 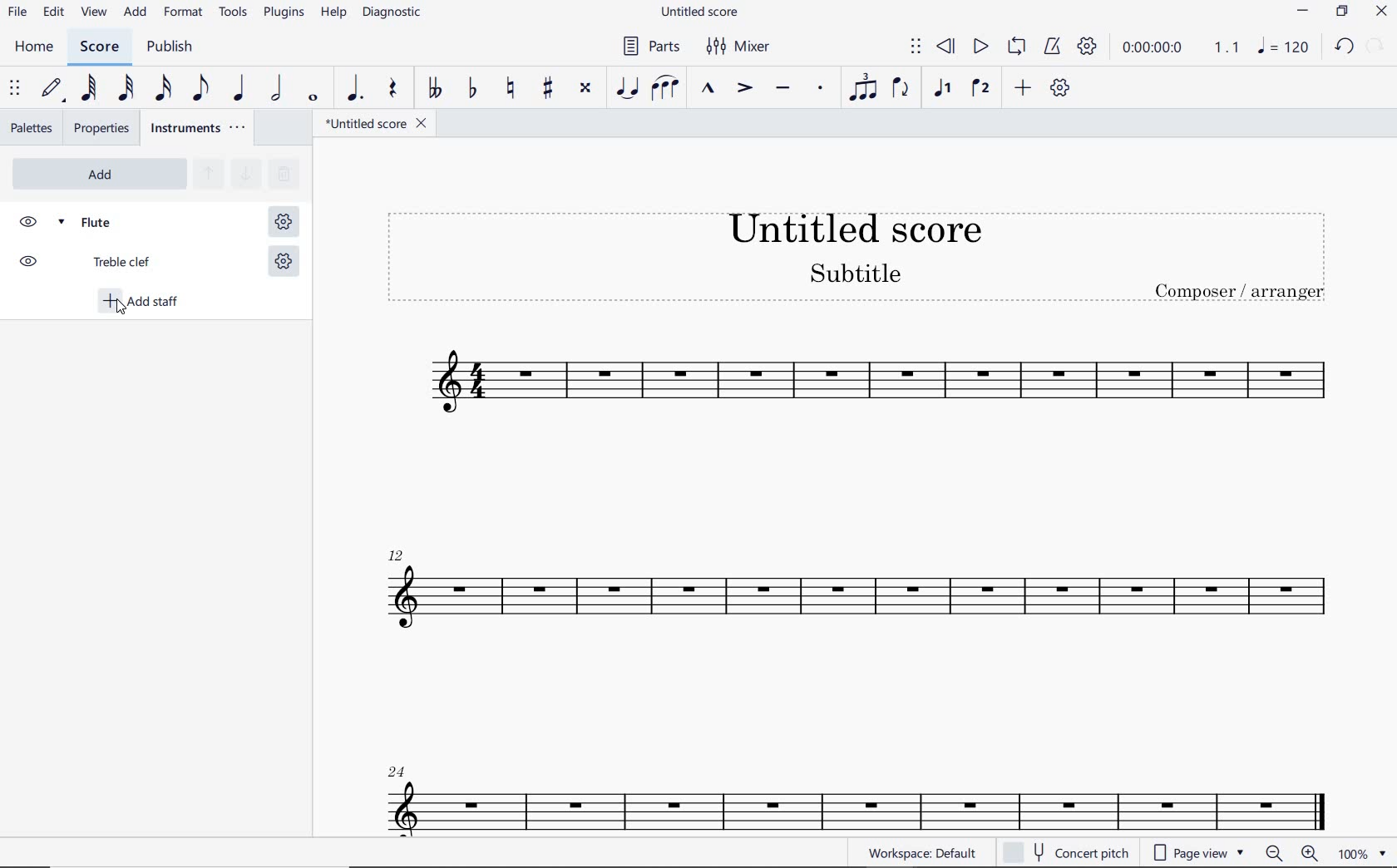 I want to click on SLUR, so click(x=665, y=88).